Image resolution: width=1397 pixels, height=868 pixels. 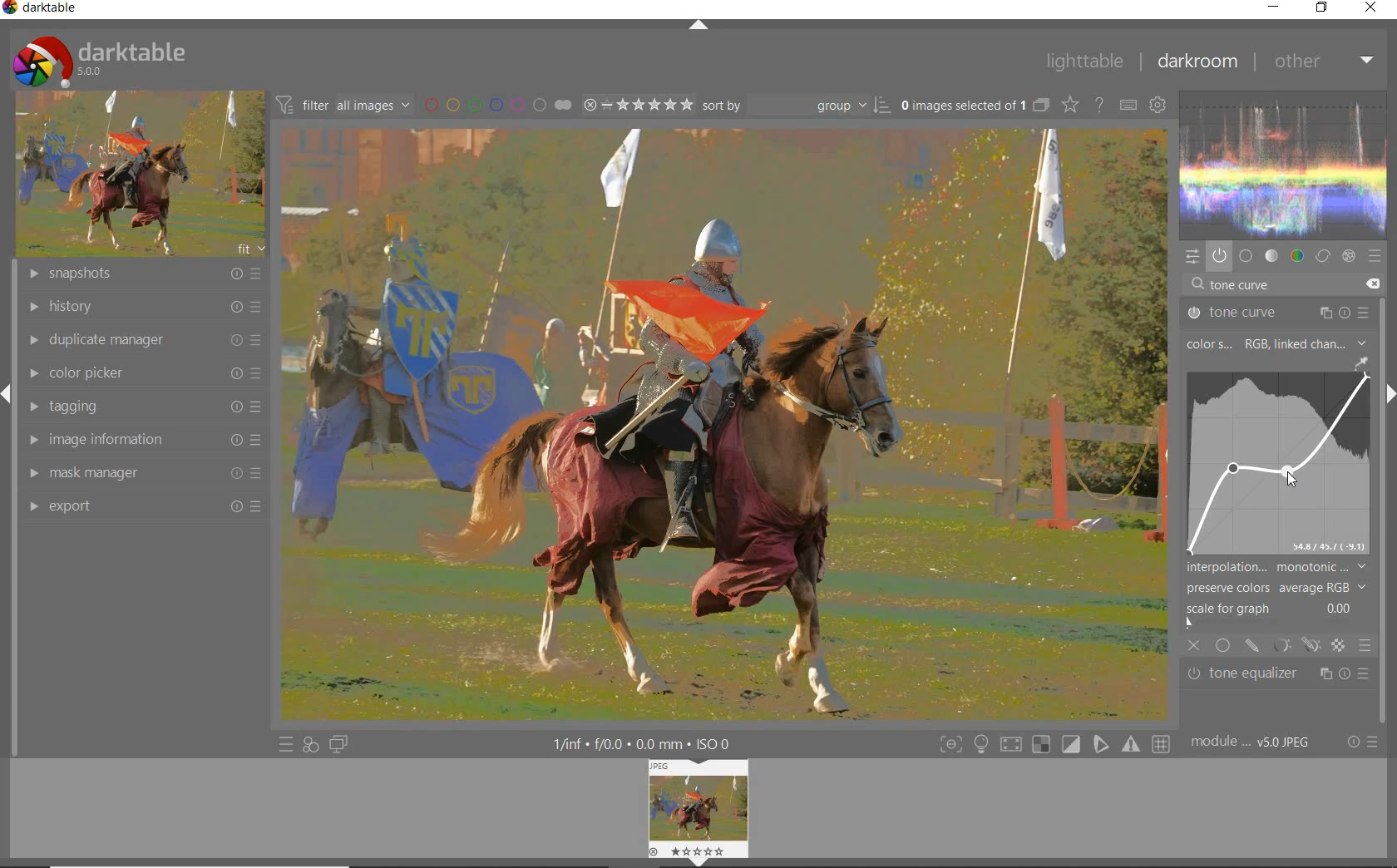 I want to click on filter by image color label, so click(x=496, y=104).